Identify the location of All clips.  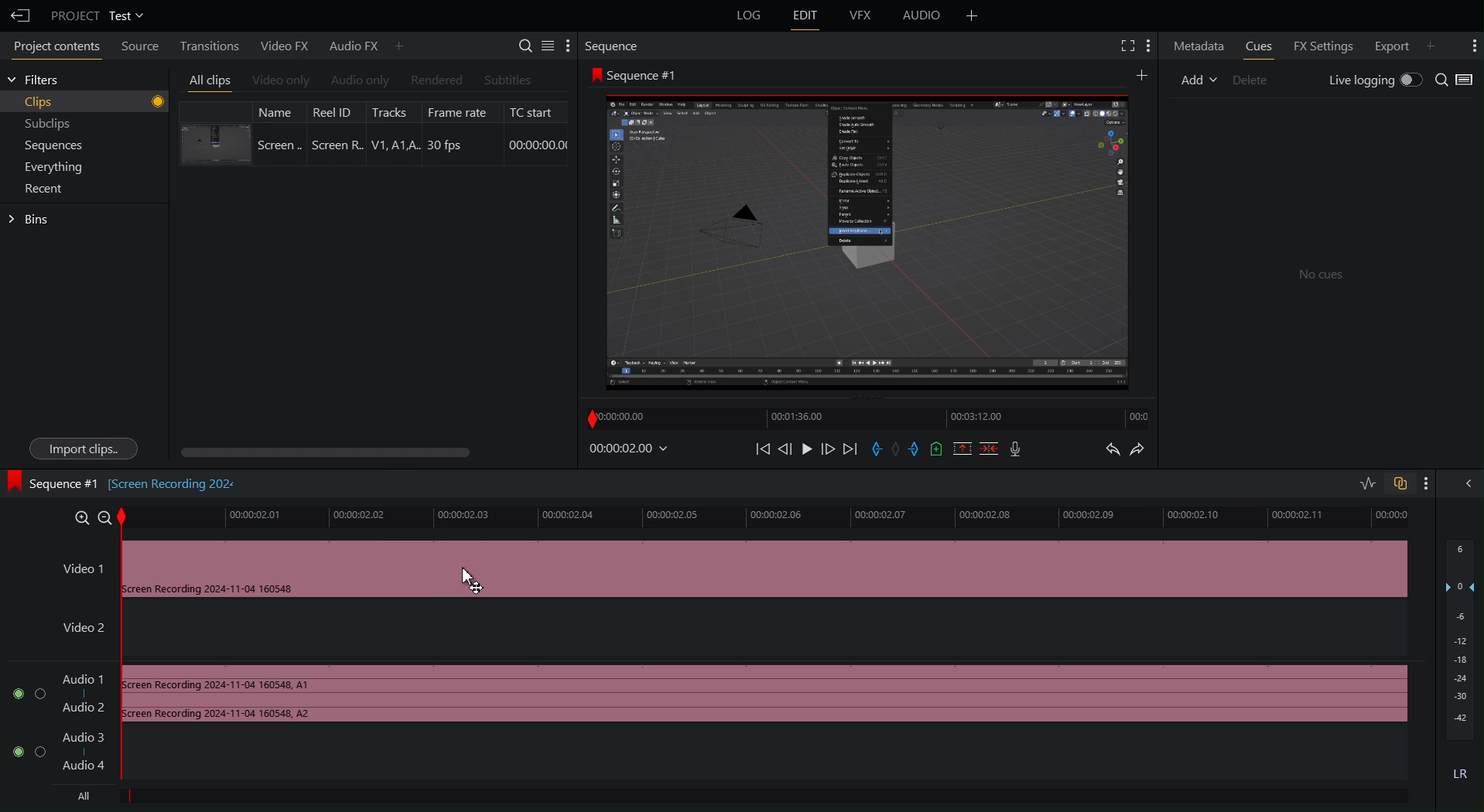
(207, 78).